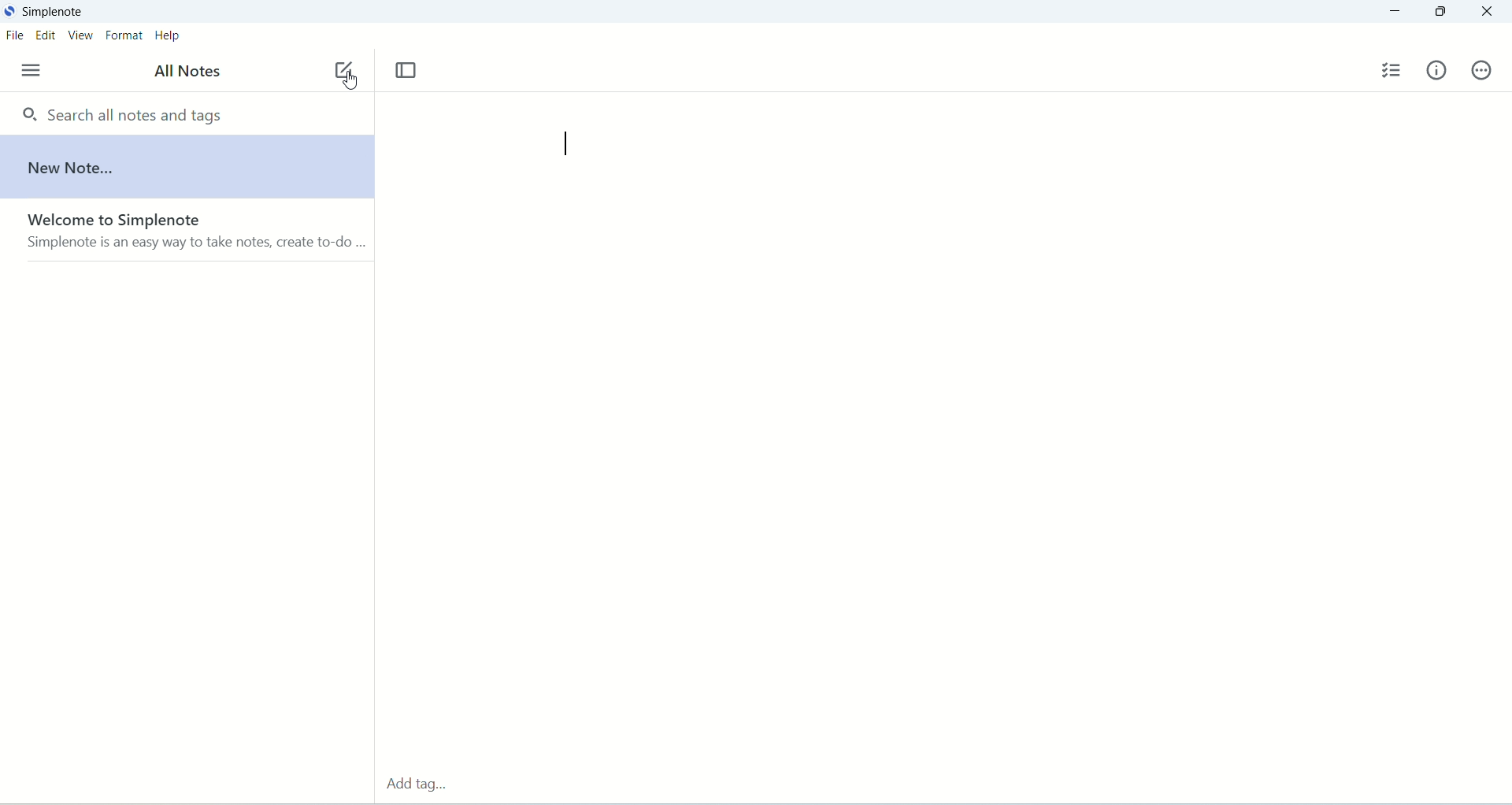 This screenshot has width=1512, height=805. I want to click on cursor, so click(352, 81).